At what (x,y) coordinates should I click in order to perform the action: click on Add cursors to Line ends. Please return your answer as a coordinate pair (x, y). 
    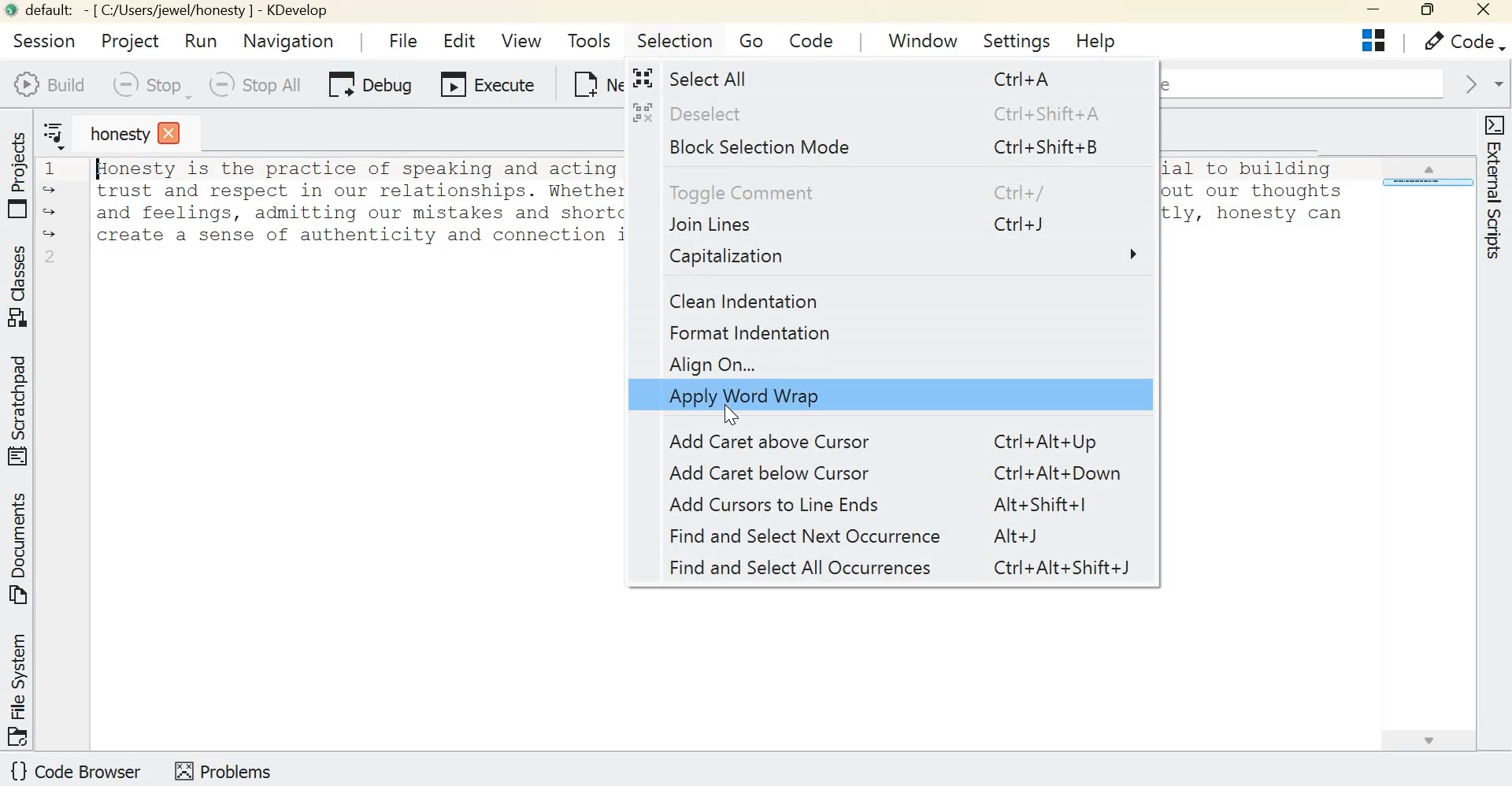
    Looking at the image, I should click on (882, 505).